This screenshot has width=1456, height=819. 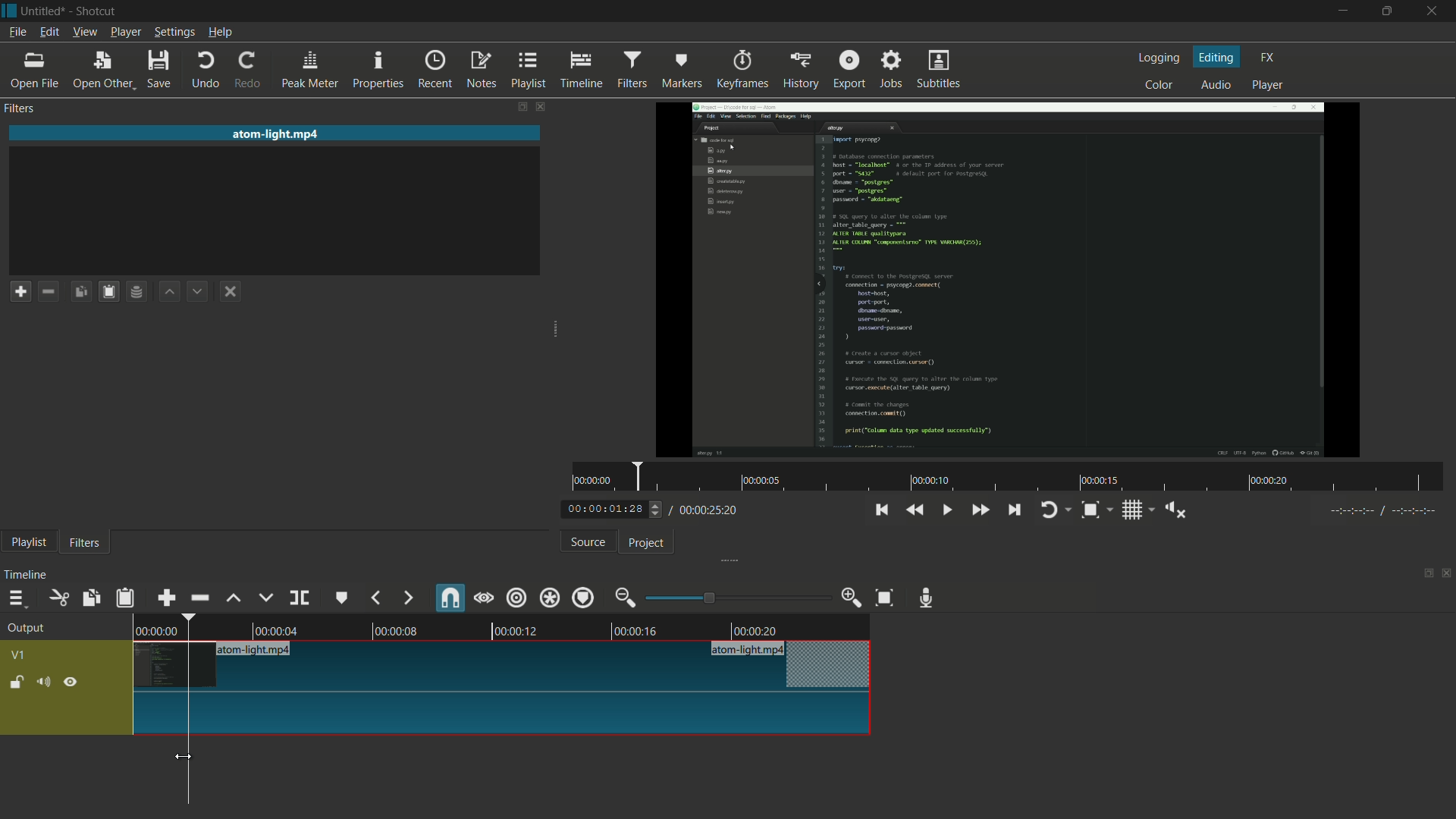 I want to click on zoom in, so click(x=852, y=598).